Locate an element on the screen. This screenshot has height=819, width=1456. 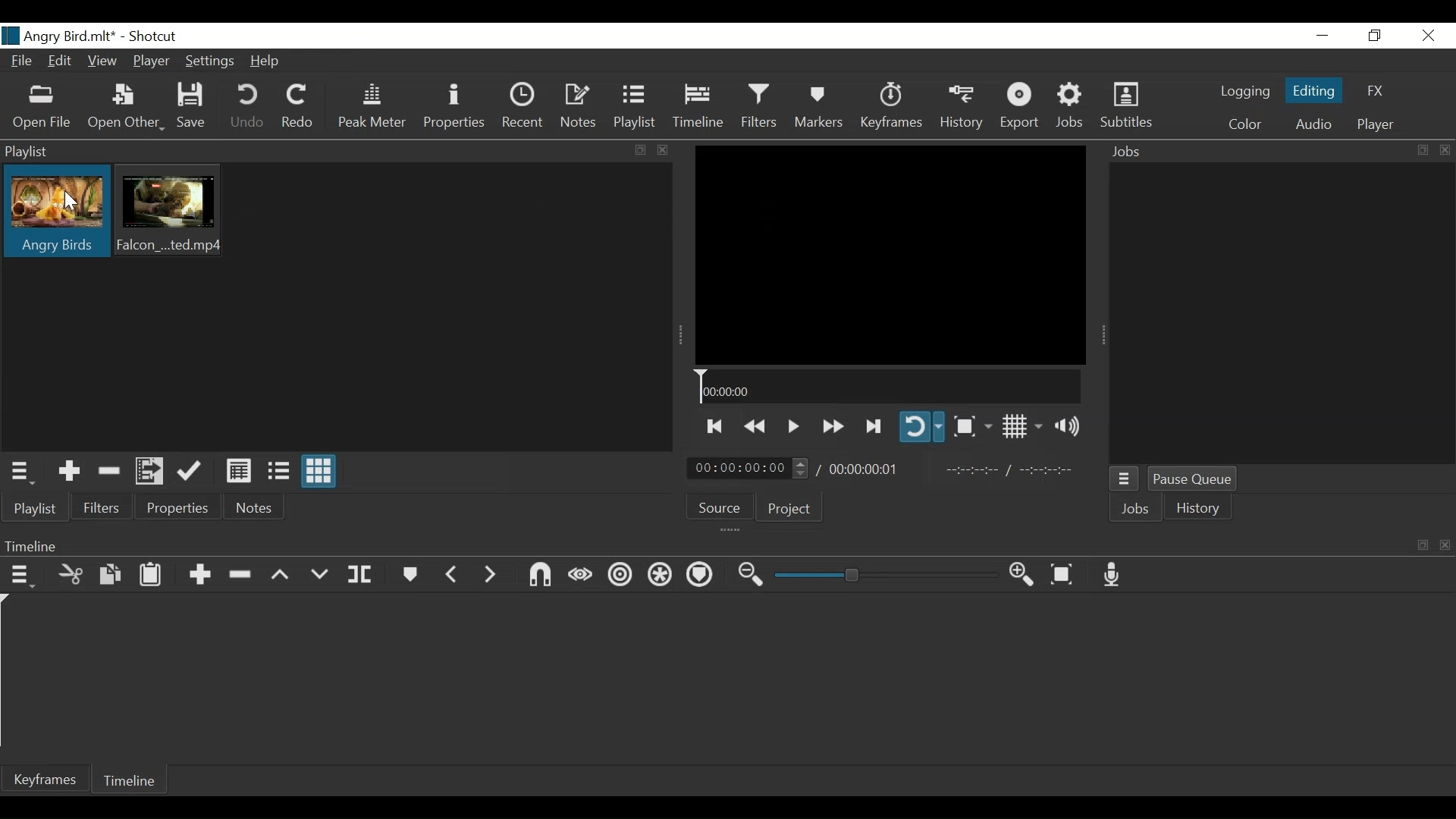
Redo is located at coordinates (300, 106).